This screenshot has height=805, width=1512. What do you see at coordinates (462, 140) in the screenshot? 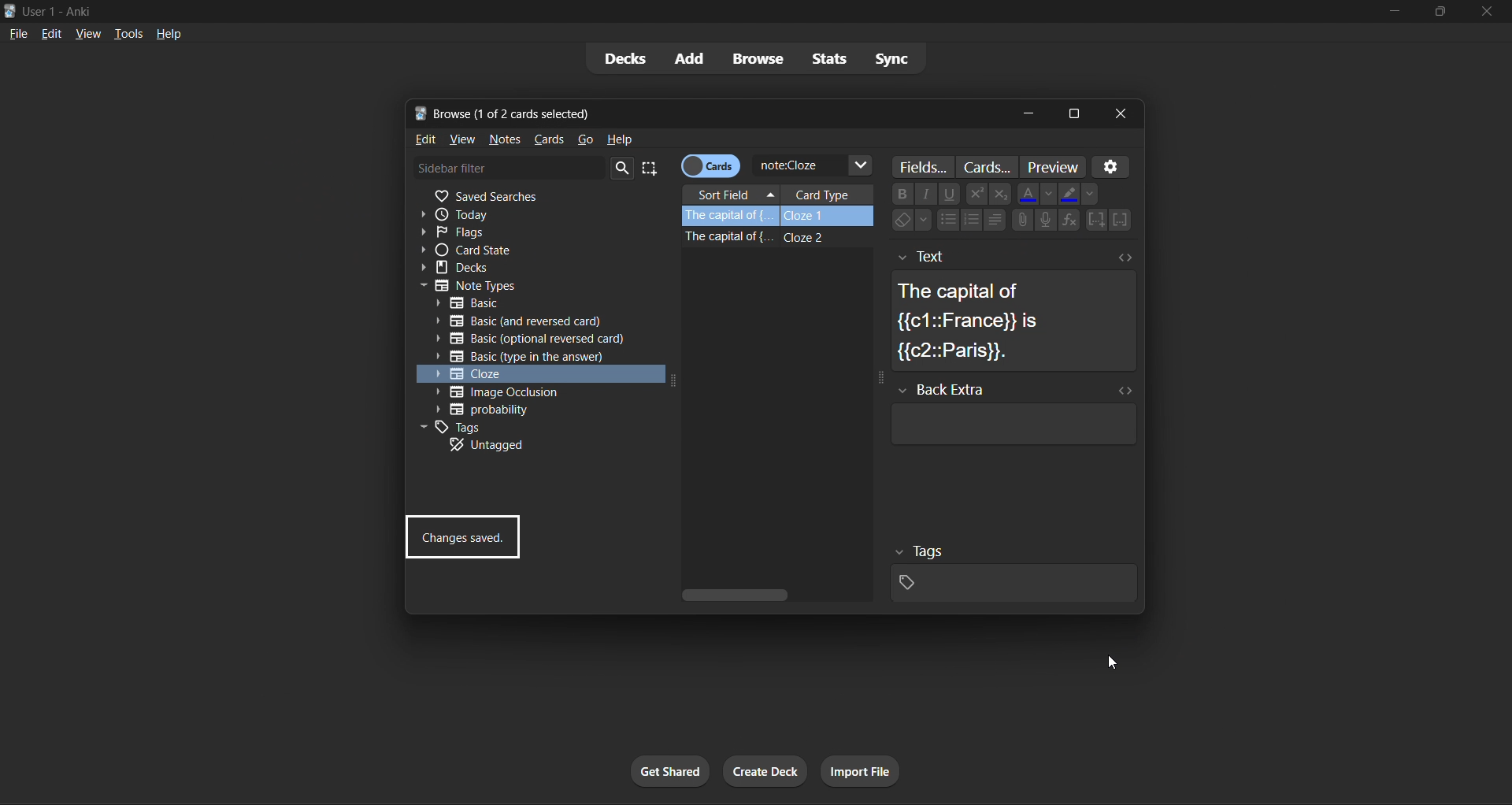
I see `view` at bounding box center [462, 140].